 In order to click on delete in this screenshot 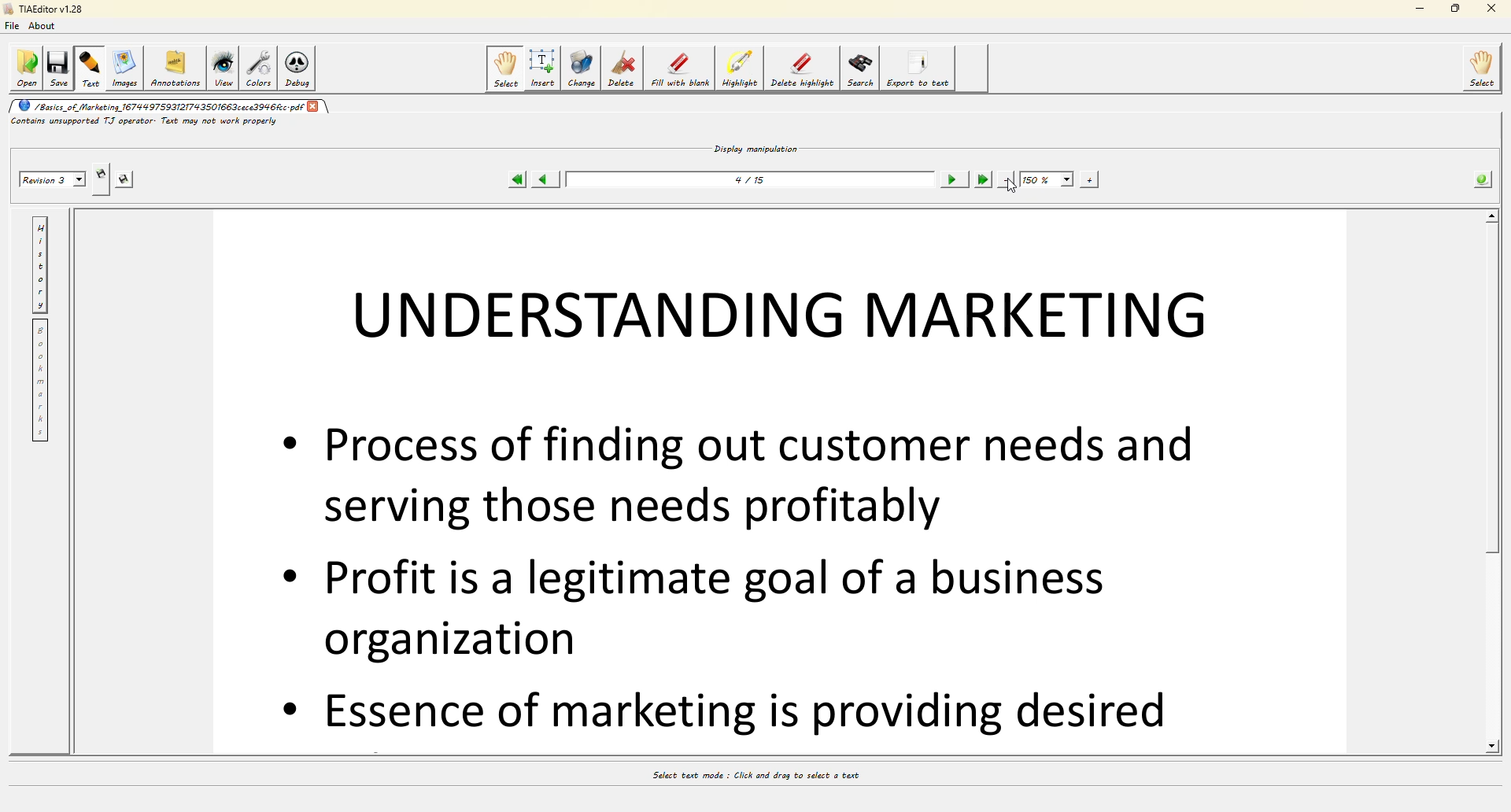, I will do `click(622, 69)`.